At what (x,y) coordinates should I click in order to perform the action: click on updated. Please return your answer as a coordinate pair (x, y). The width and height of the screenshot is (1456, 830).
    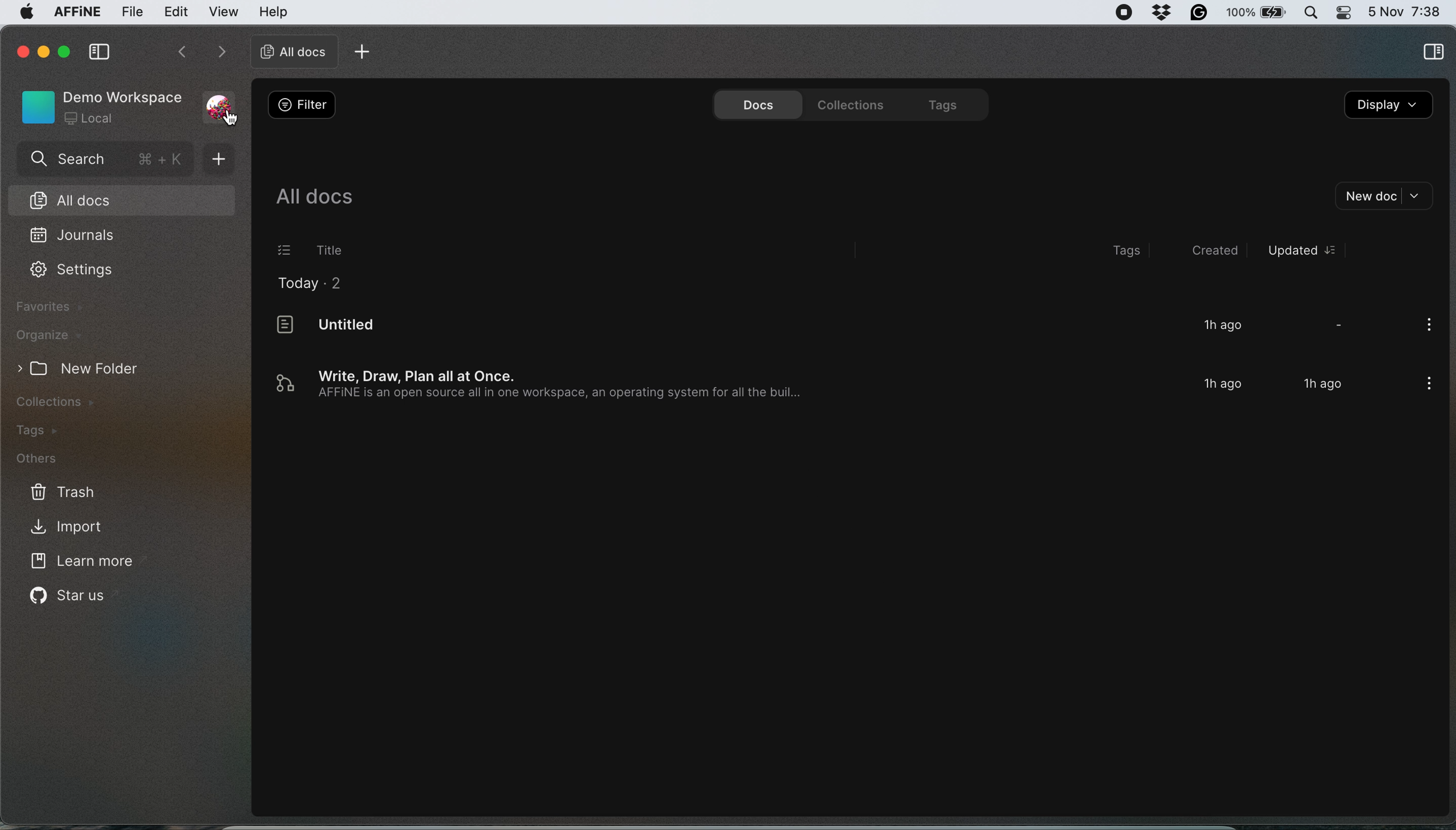
    Looking at the image, I should click on (1301, 250).